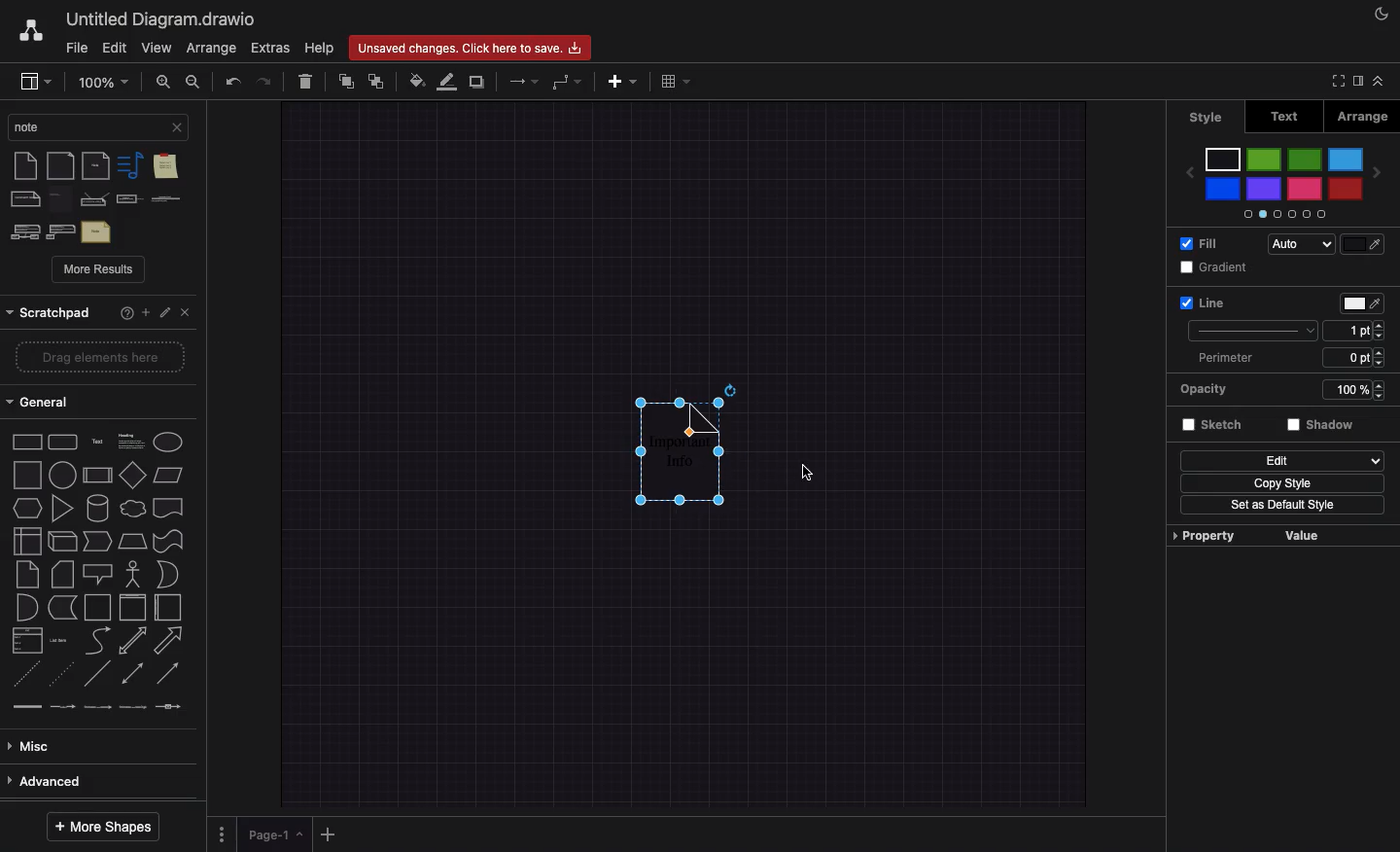 The height and width of the screenshot is (852, 1400). What do you see at coordinates (1282, 508) in the screenshot?
I see `Set as default style` at bounding box center [1282, 508].